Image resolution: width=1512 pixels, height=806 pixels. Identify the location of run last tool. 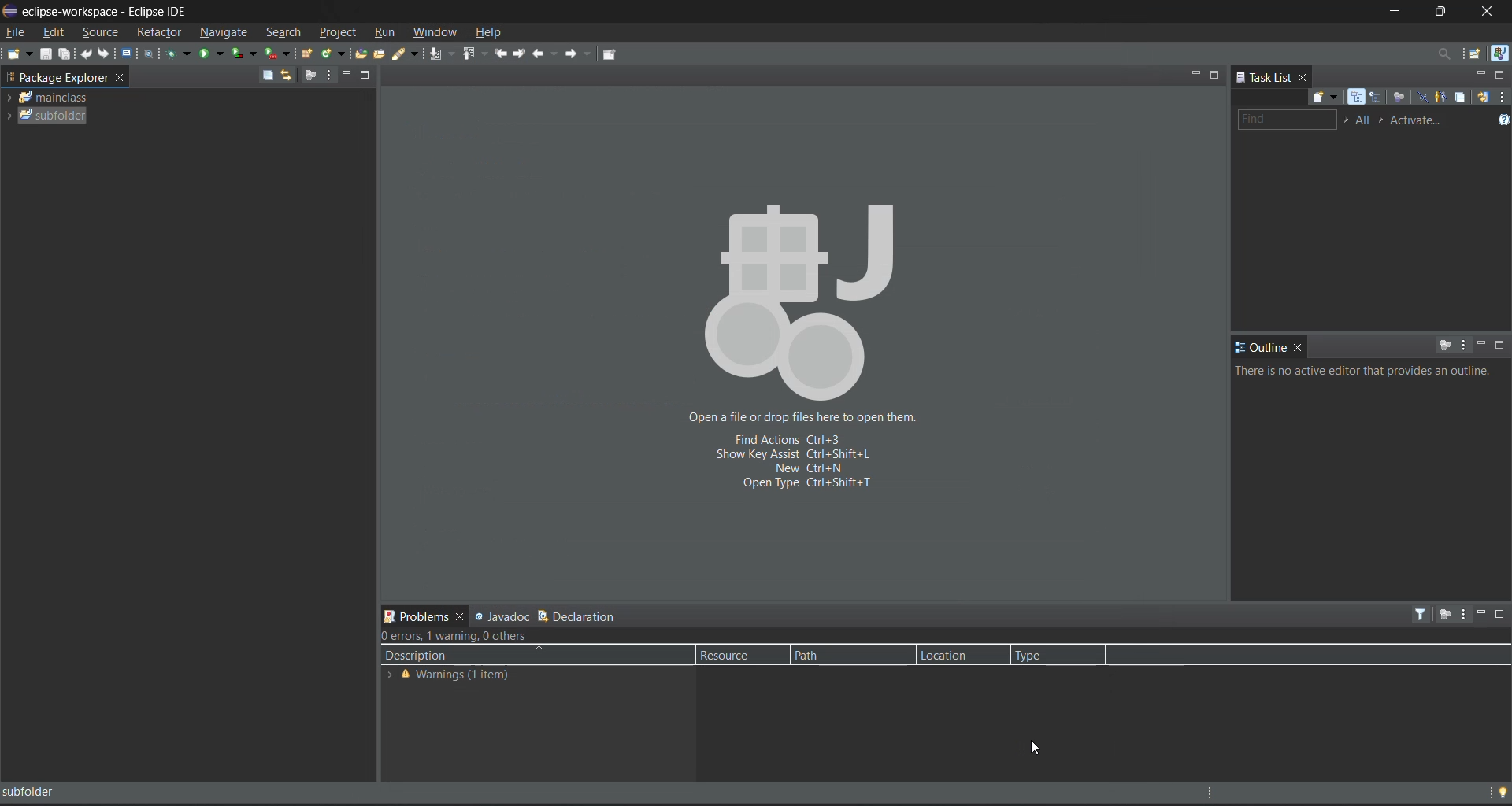
(276, 53).